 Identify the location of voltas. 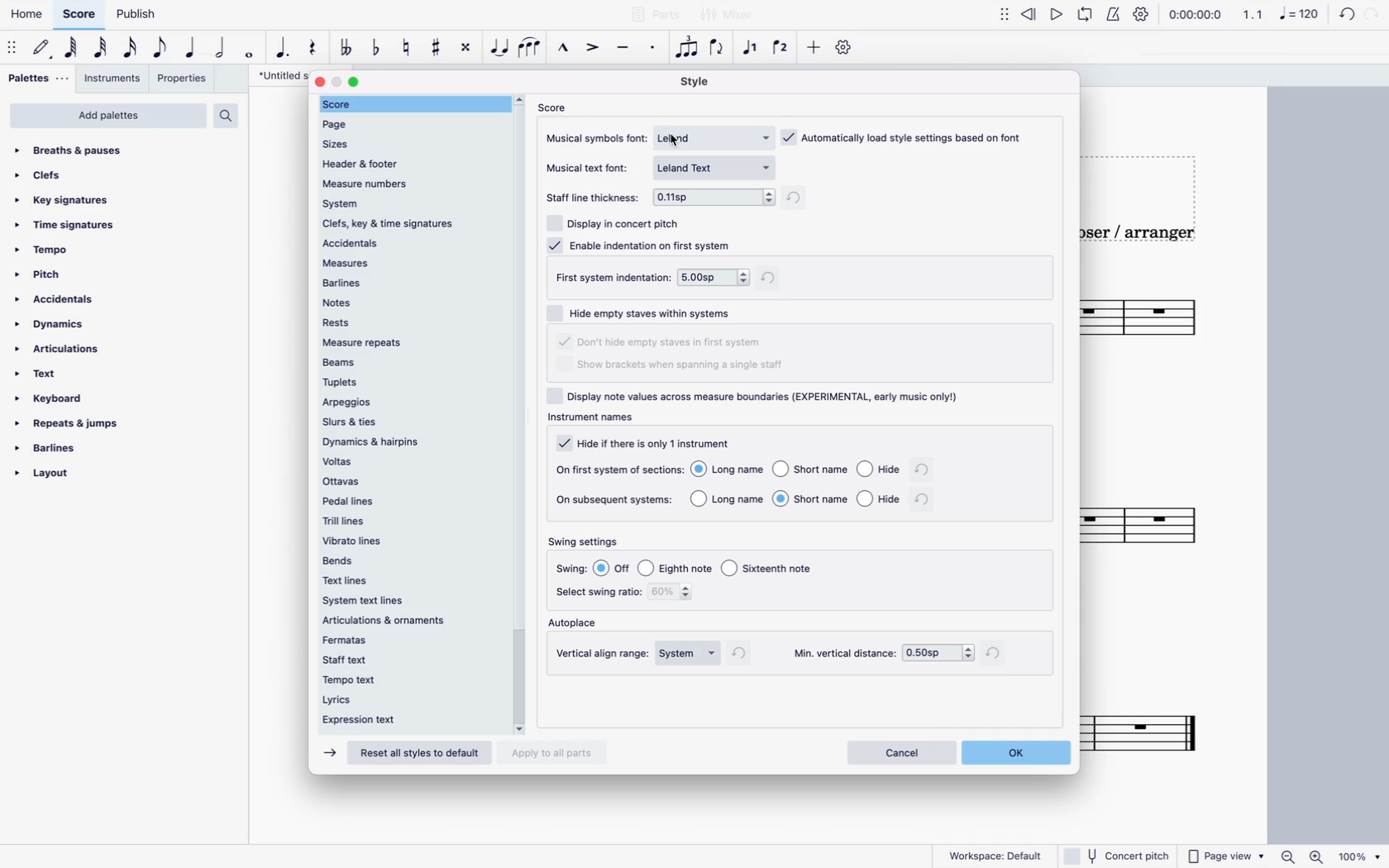
(410, 461).